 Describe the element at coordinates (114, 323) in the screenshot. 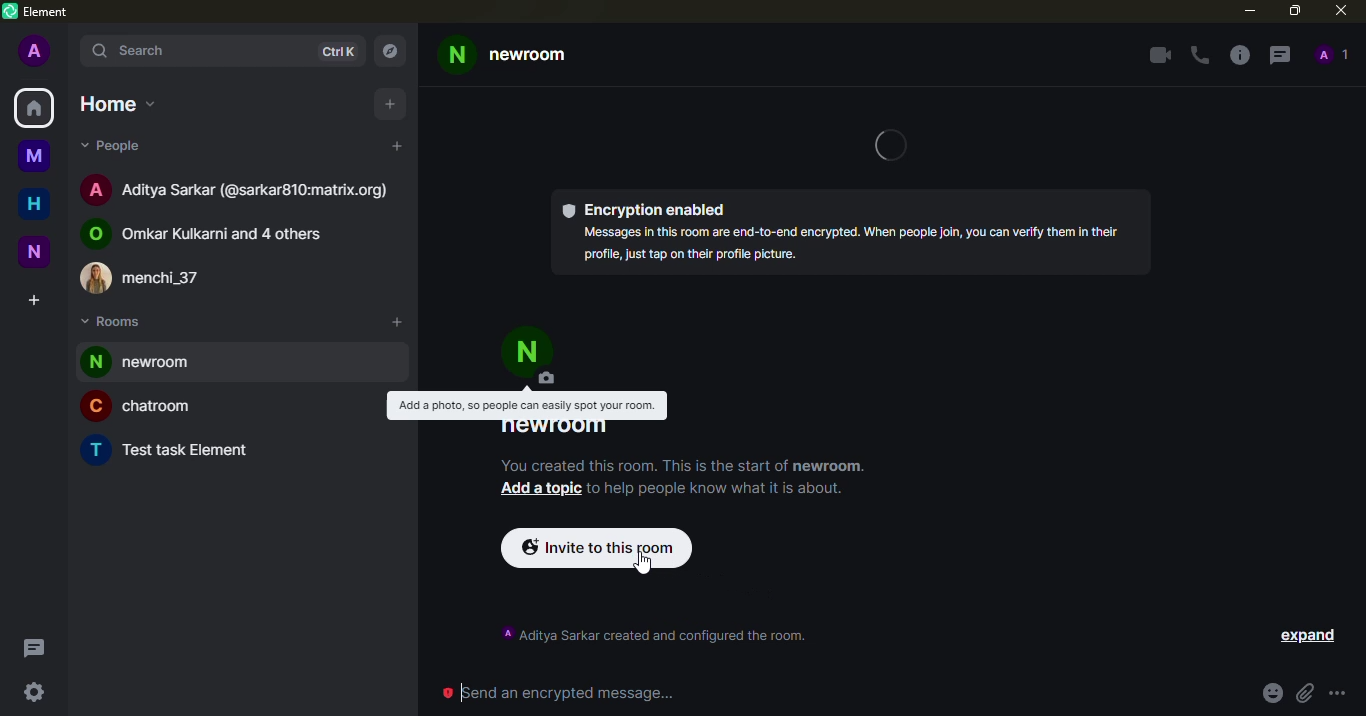

I see `rooms` at that location.